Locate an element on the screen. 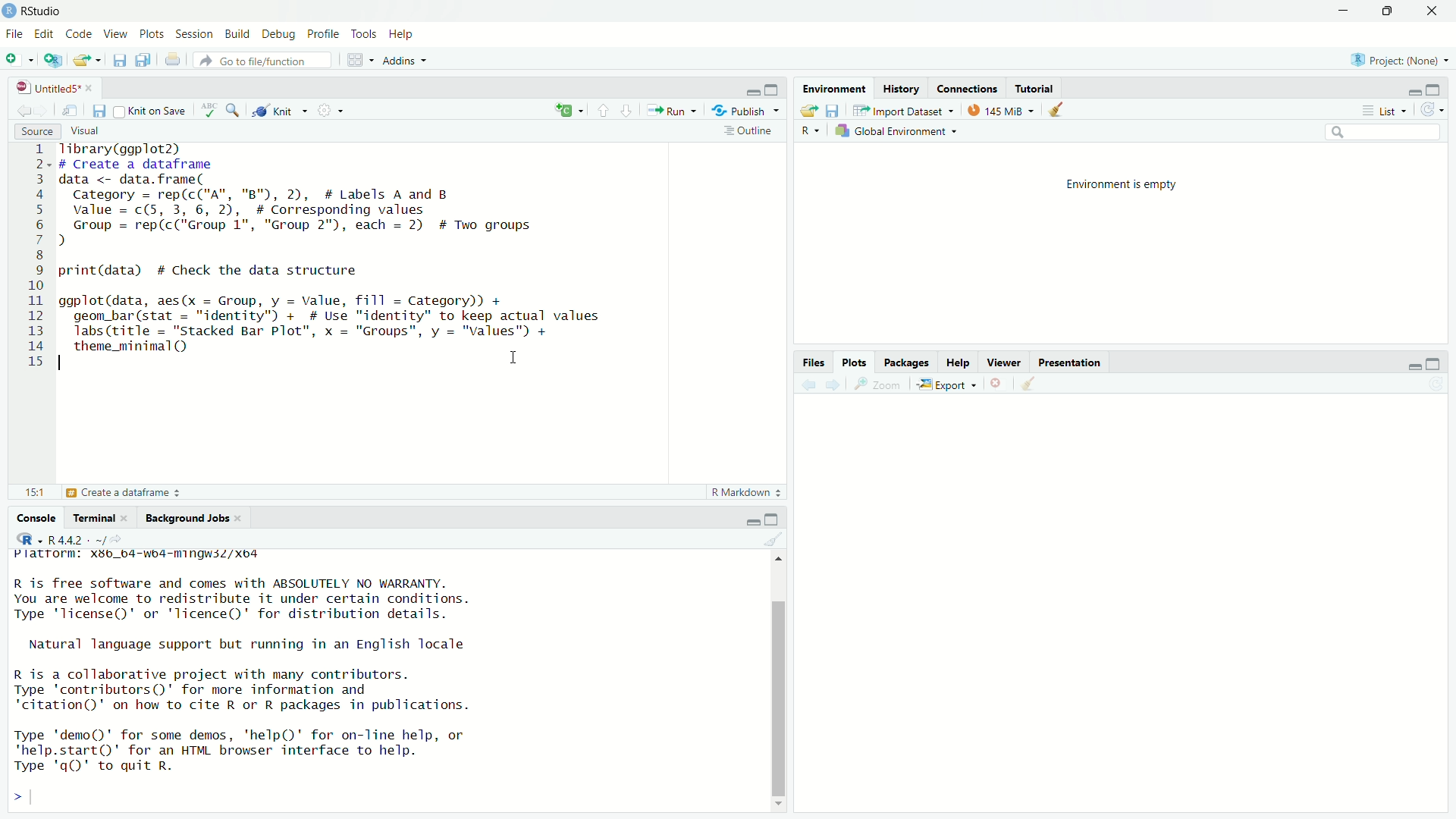 This screenshot has width=1456, height=819. Presentation is located at coordinates (1070, 362).